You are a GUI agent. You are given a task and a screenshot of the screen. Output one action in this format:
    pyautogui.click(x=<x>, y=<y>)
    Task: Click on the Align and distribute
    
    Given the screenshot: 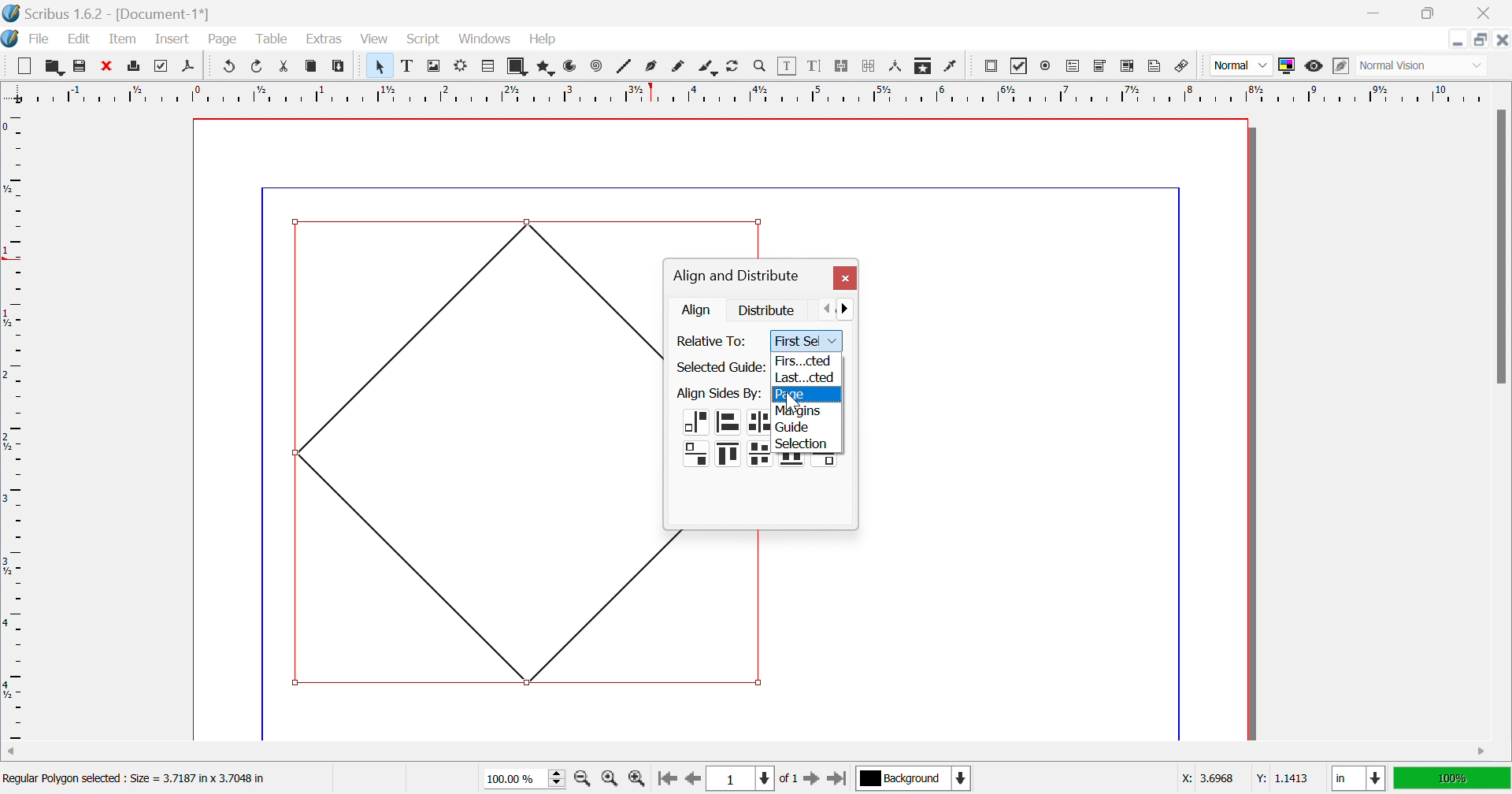 What is the action you would take?
    pyautogui.click(x=736, y=276)
    